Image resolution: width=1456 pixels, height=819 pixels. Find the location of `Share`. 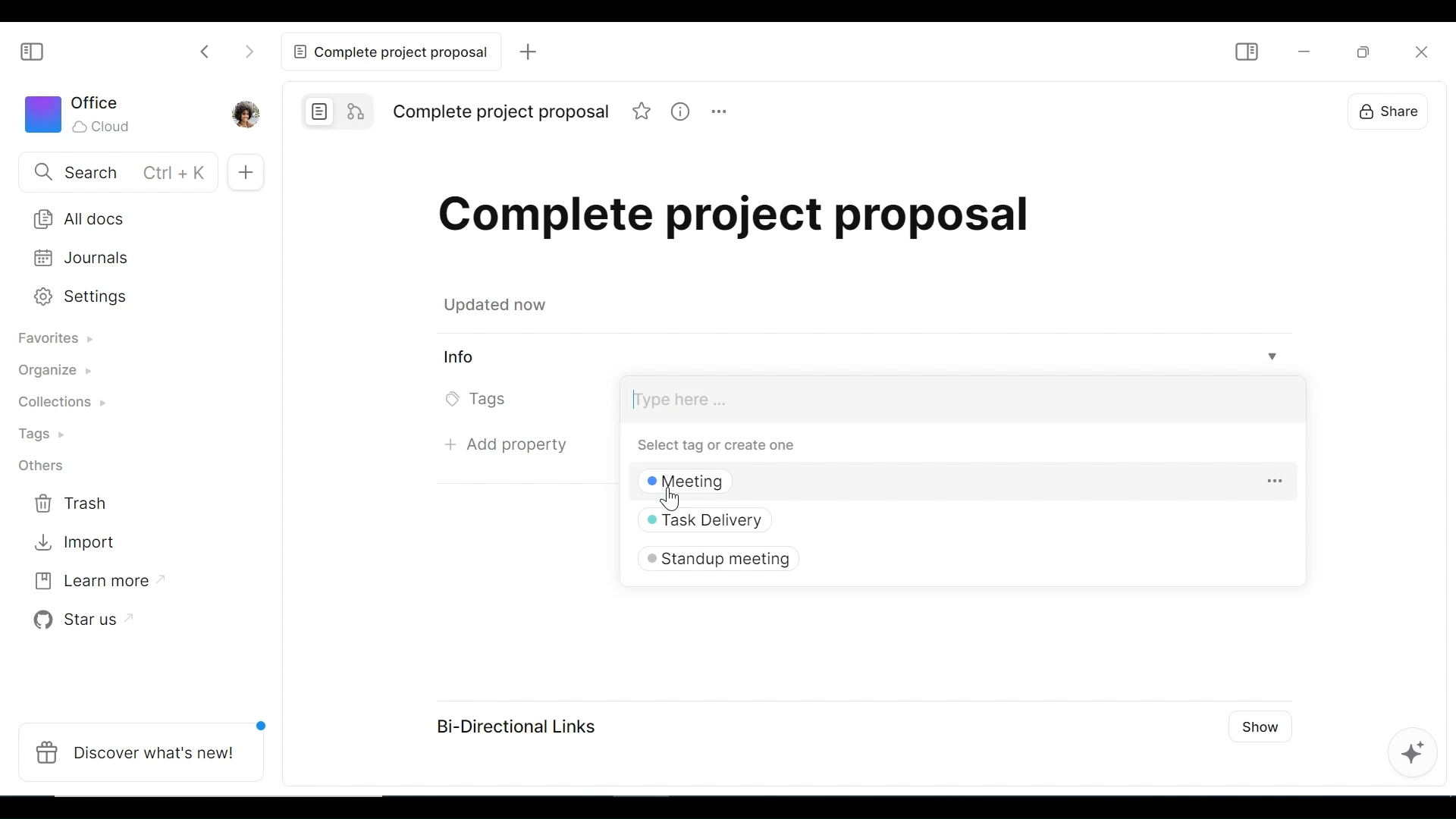

Share is located at coordinates (1382, 110).